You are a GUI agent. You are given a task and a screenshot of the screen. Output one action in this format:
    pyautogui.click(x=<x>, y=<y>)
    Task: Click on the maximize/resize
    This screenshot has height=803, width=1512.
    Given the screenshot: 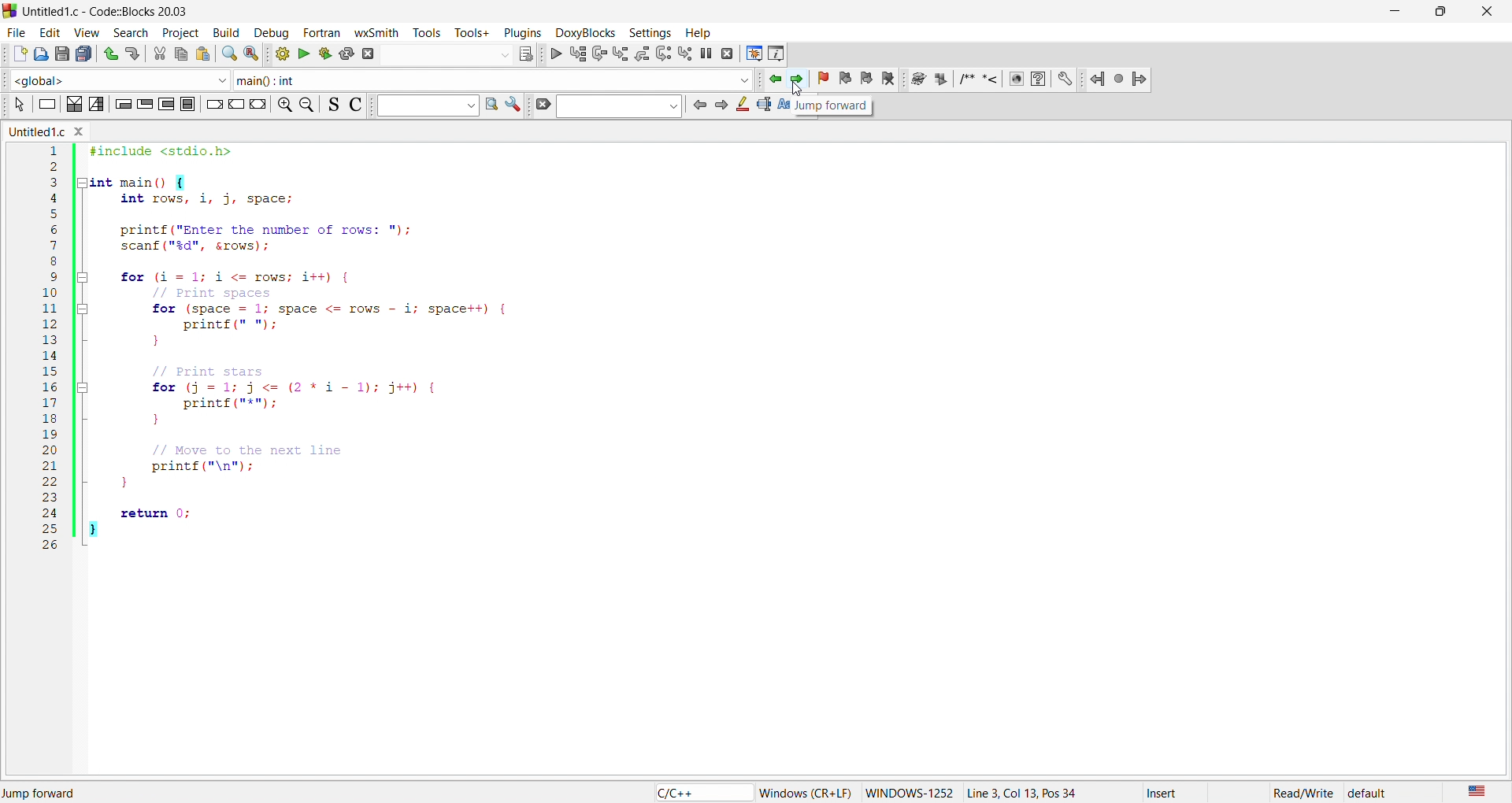 What is the action you would take?
    pyautogui.click(x=1436, y=12)
    